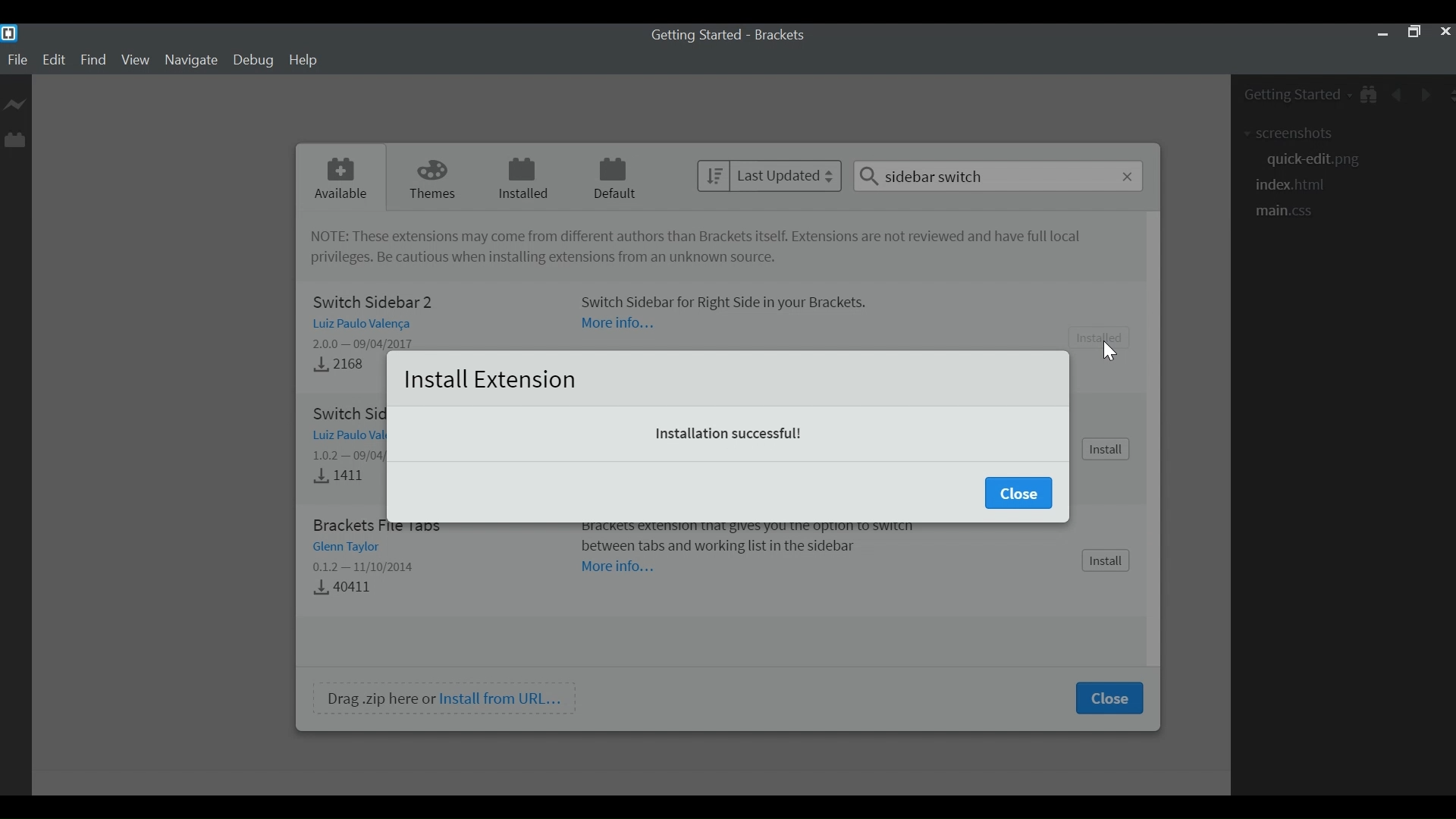  Describe the element at coordinates (9, 33) in the screenshot. I see `Brackets Desktop Icon` at that location.